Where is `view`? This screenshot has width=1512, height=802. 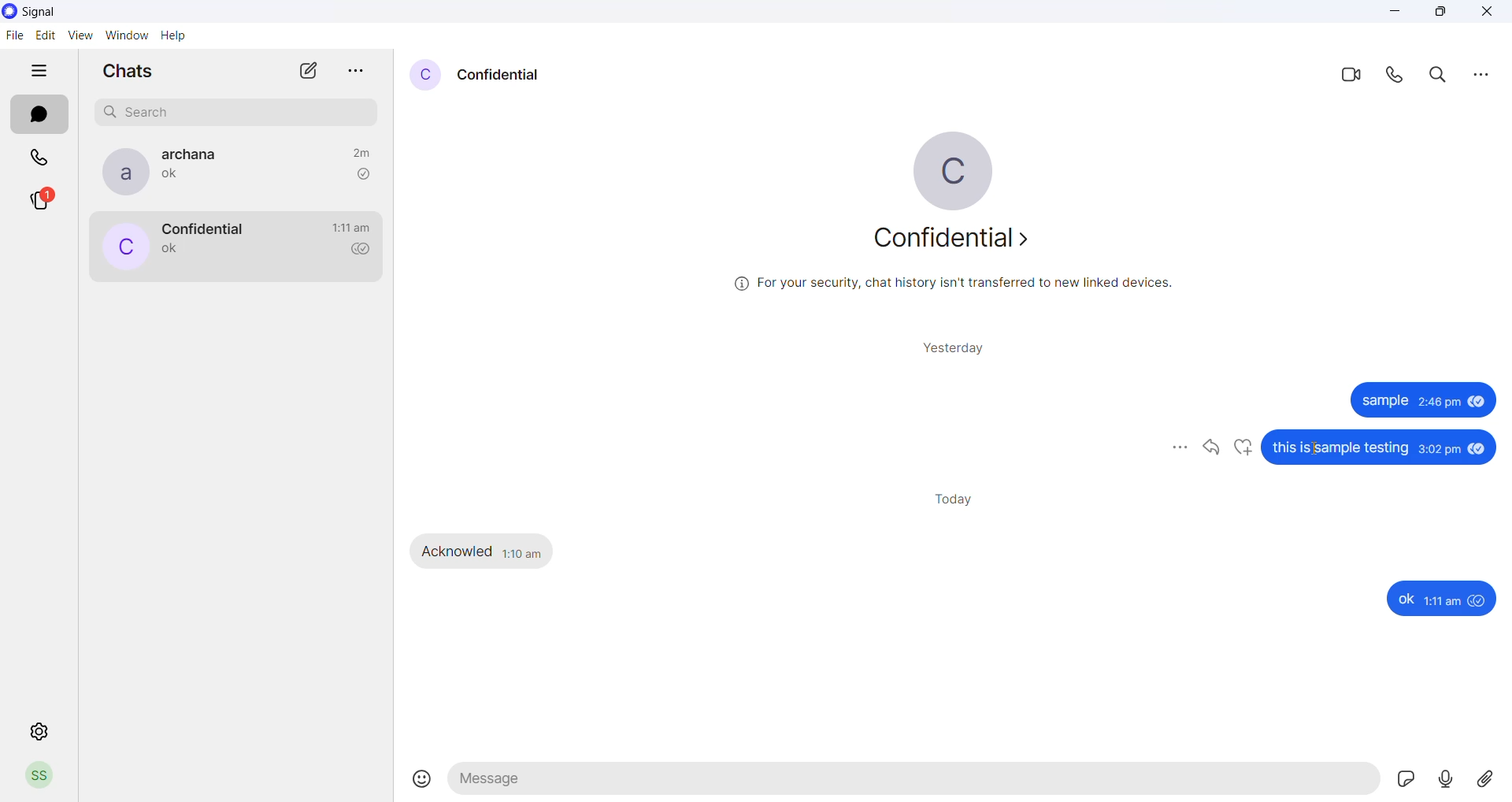
view is located at coordinates (82, 36).